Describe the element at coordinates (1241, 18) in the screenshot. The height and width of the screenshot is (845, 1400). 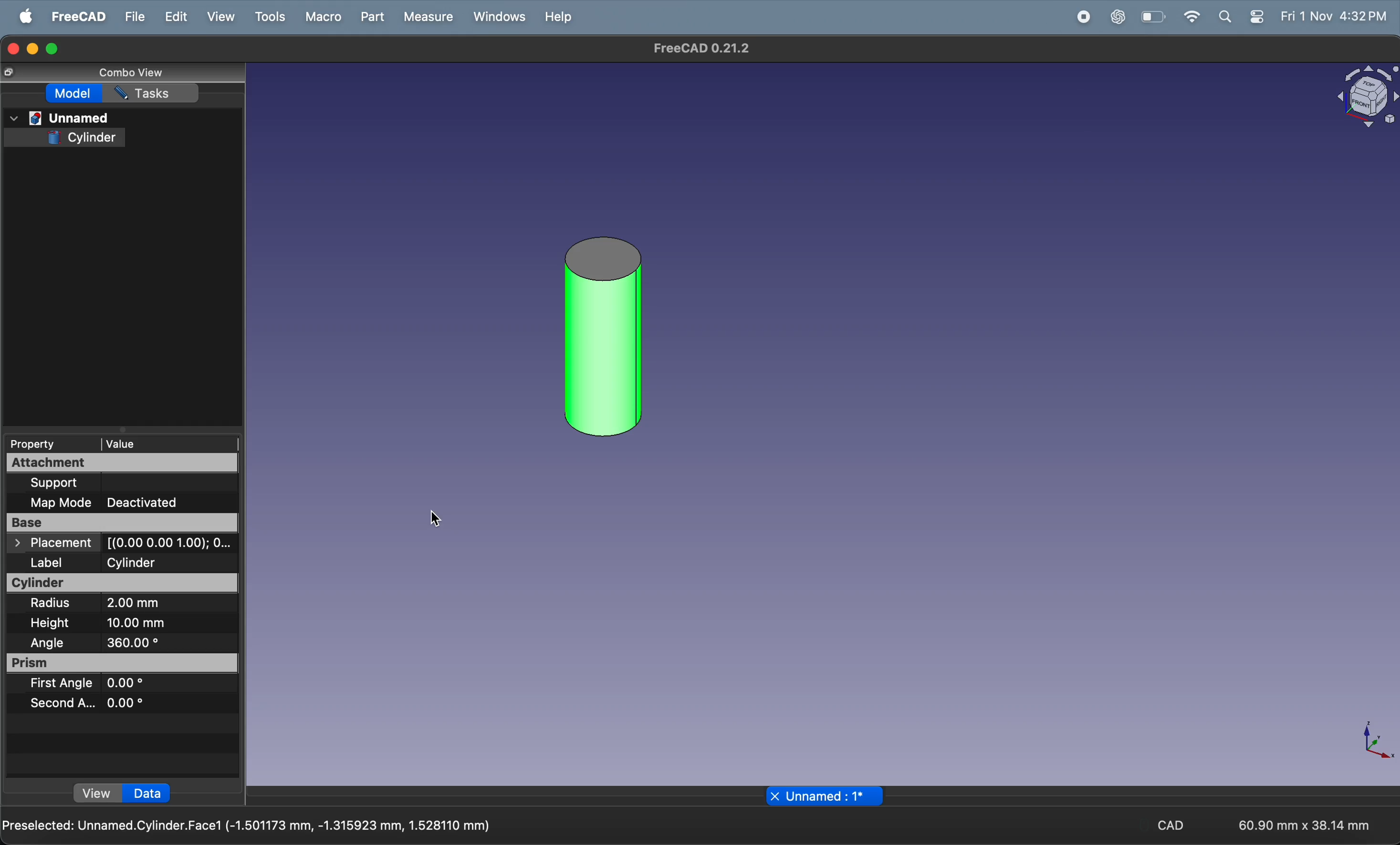
I see `apple widgets` at that location.